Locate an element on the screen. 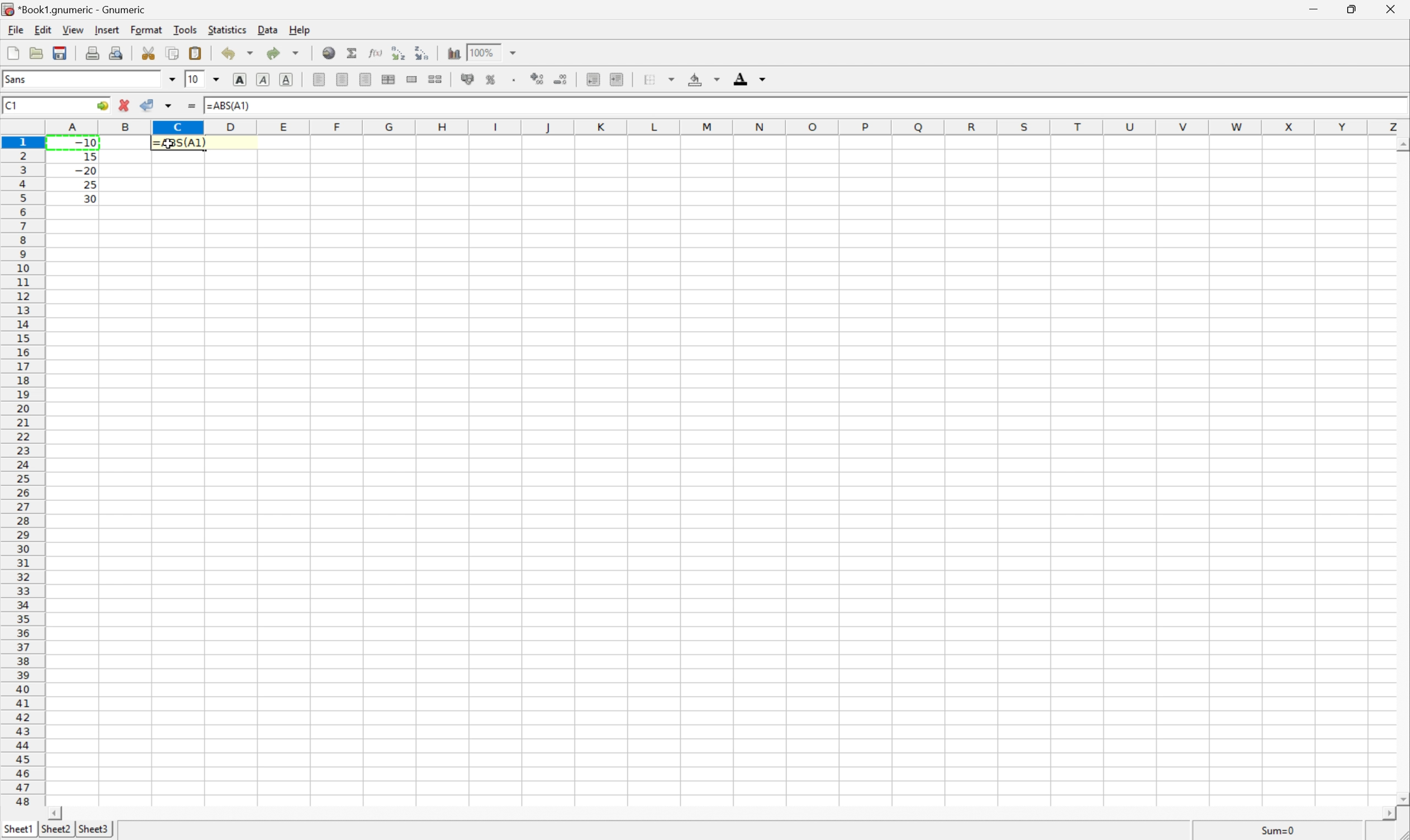 This screenshot has height=840, width=1410. Sheet1 is located at coordinates (19, 827).